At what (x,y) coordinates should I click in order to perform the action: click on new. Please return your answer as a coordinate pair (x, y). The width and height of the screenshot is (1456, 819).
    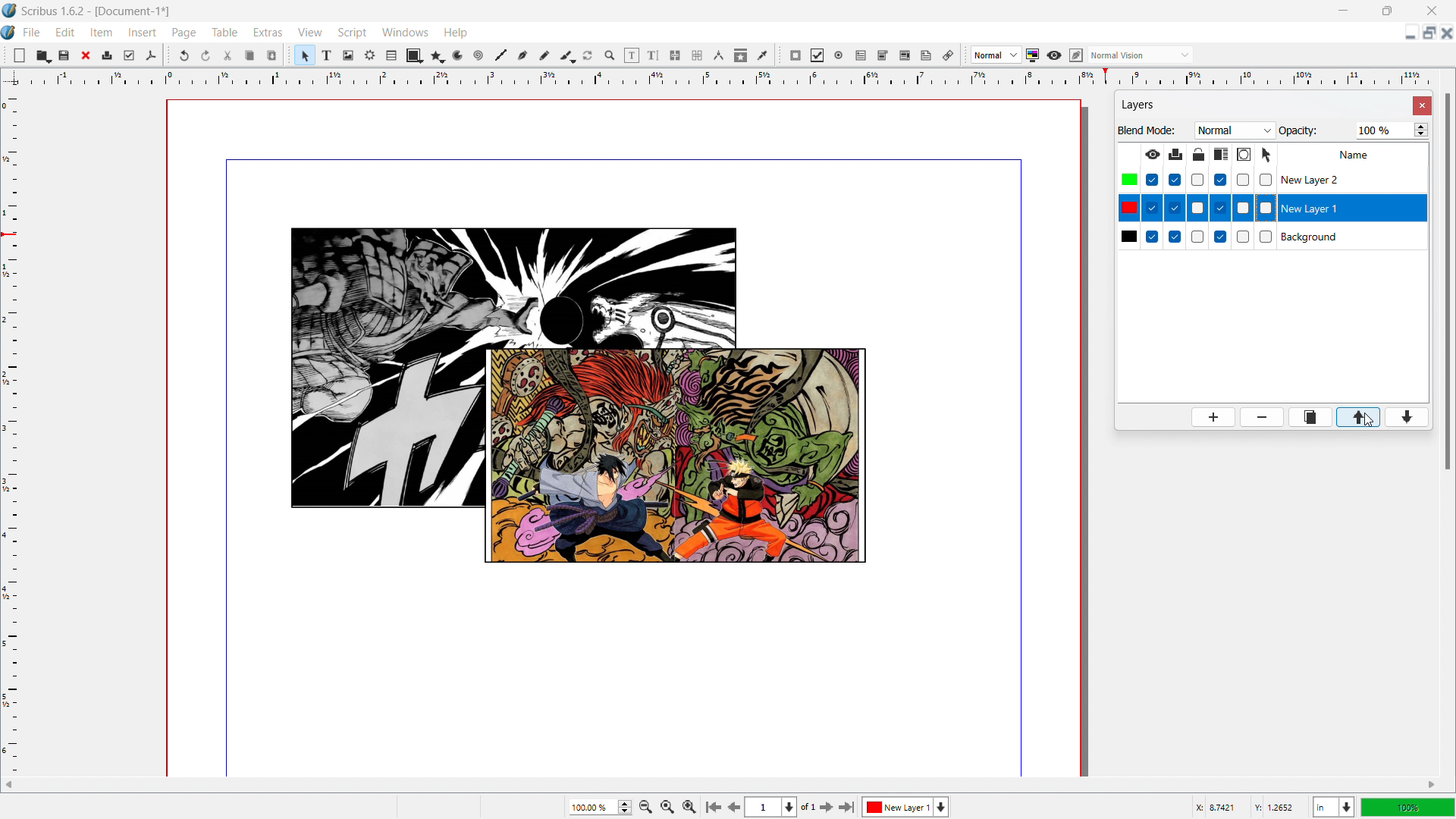
    Looking at the image, I should click on (20, 55).